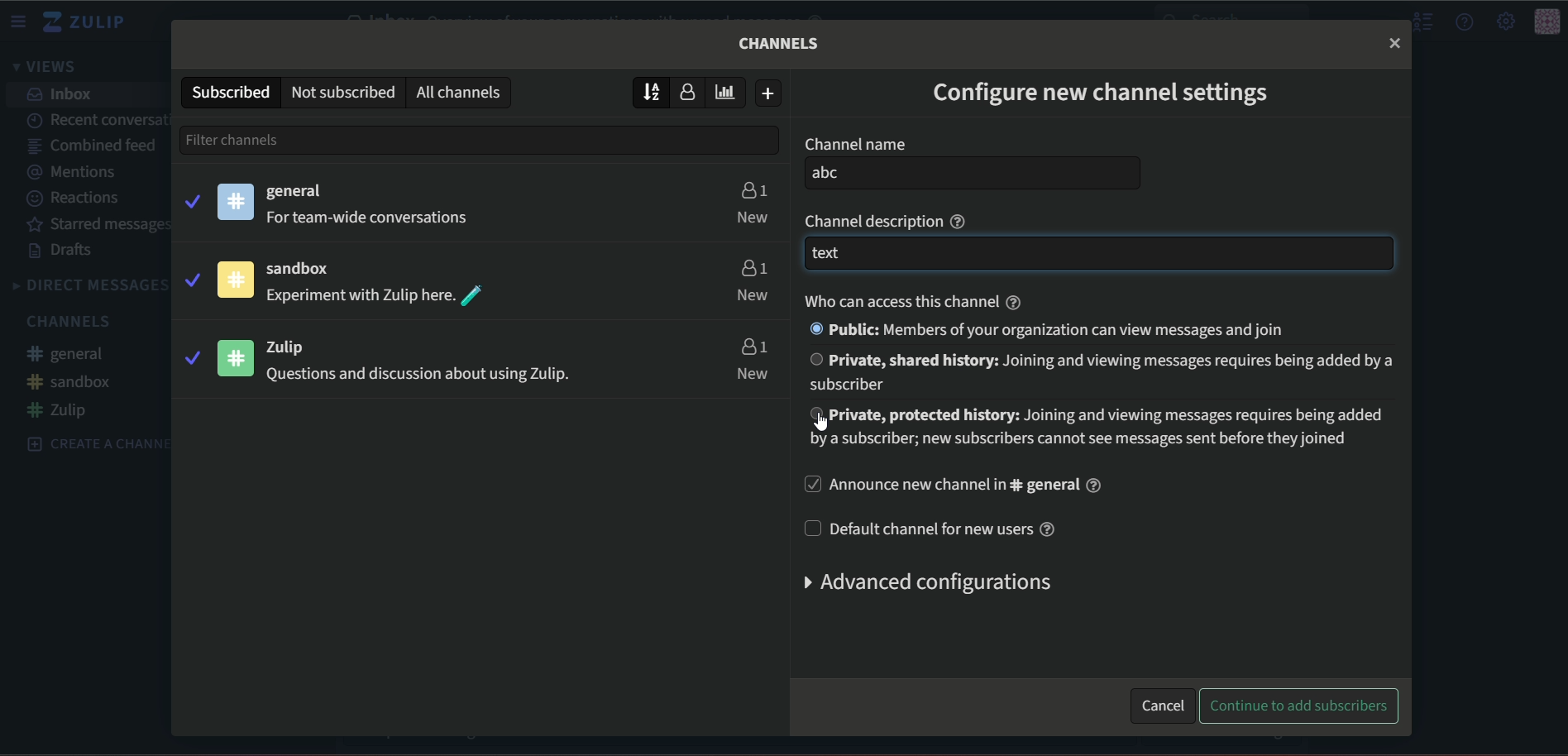 The height and width of the screenshot is (756, 1568). Describe the element at coordinates (1305, 706) in the screenshot. I see `continue to add subscribers` at that location.